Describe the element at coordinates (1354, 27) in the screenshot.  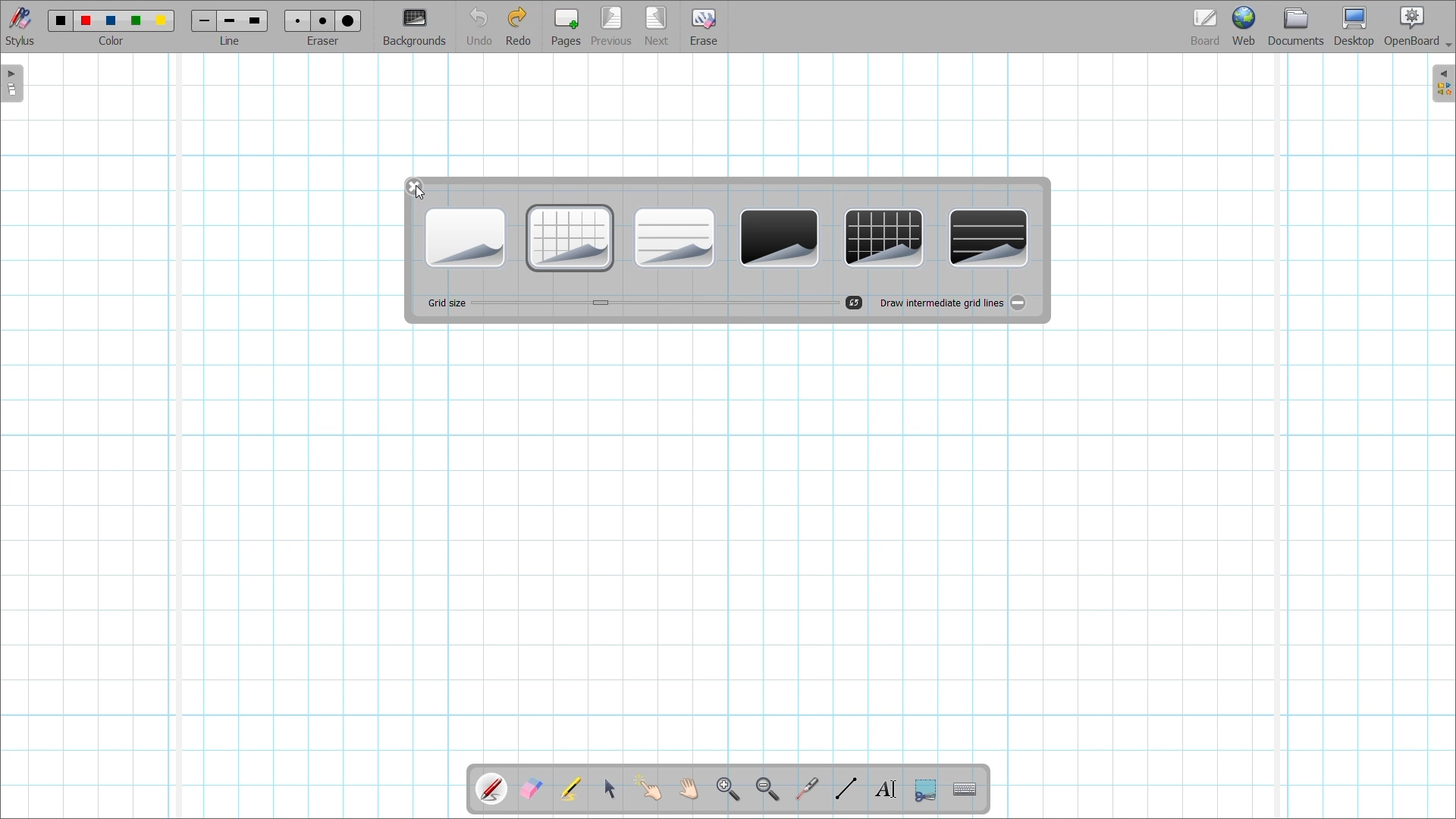
I see `Show desktop` at that location.